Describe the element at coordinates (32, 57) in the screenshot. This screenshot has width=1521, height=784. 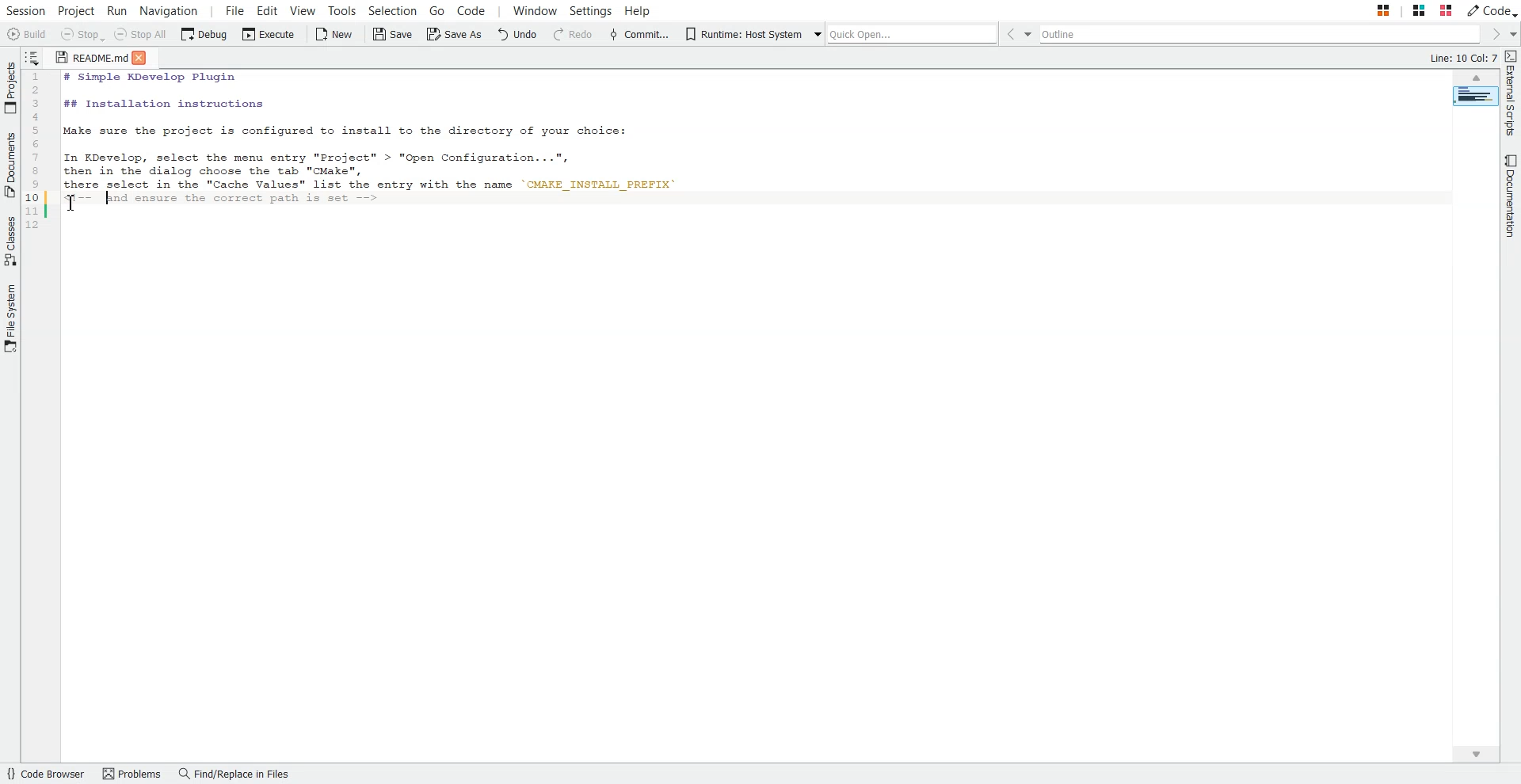
I see `Show sorted list` at that location.